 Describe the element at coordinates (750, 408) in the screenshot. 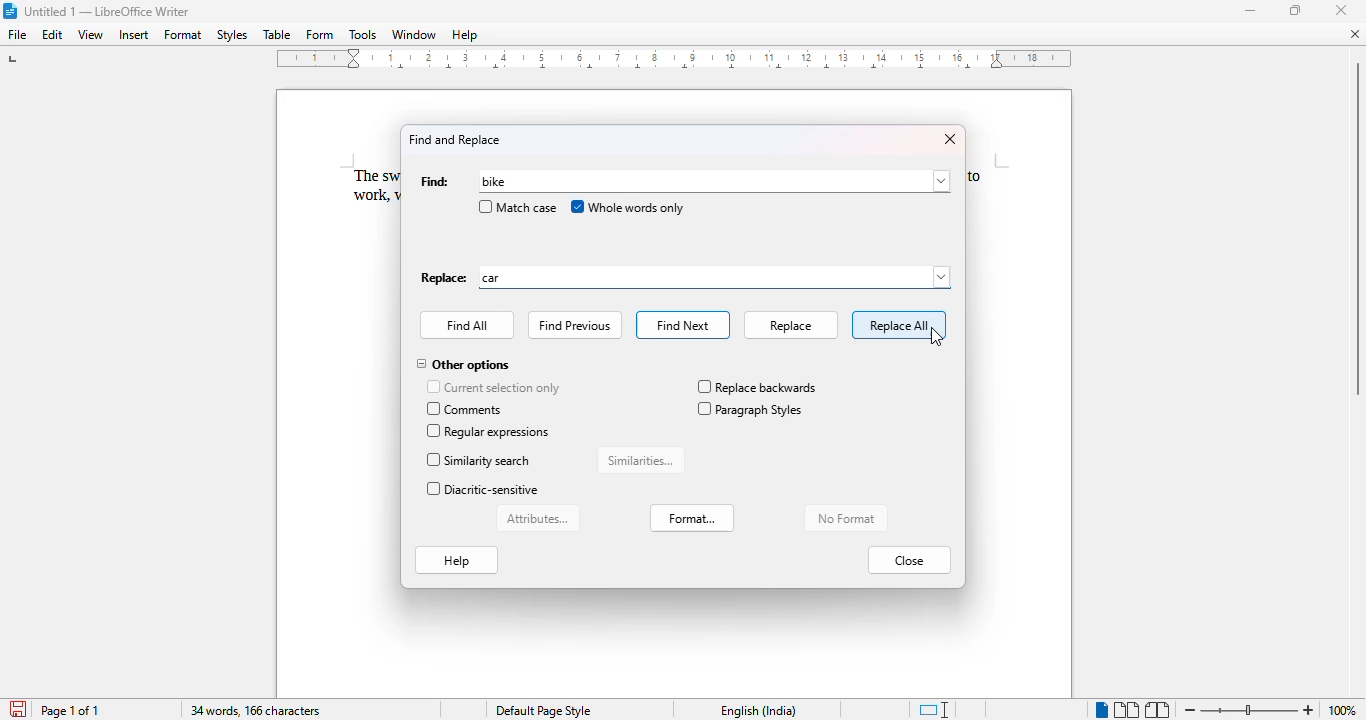

I see `paragraph styles` at that location.